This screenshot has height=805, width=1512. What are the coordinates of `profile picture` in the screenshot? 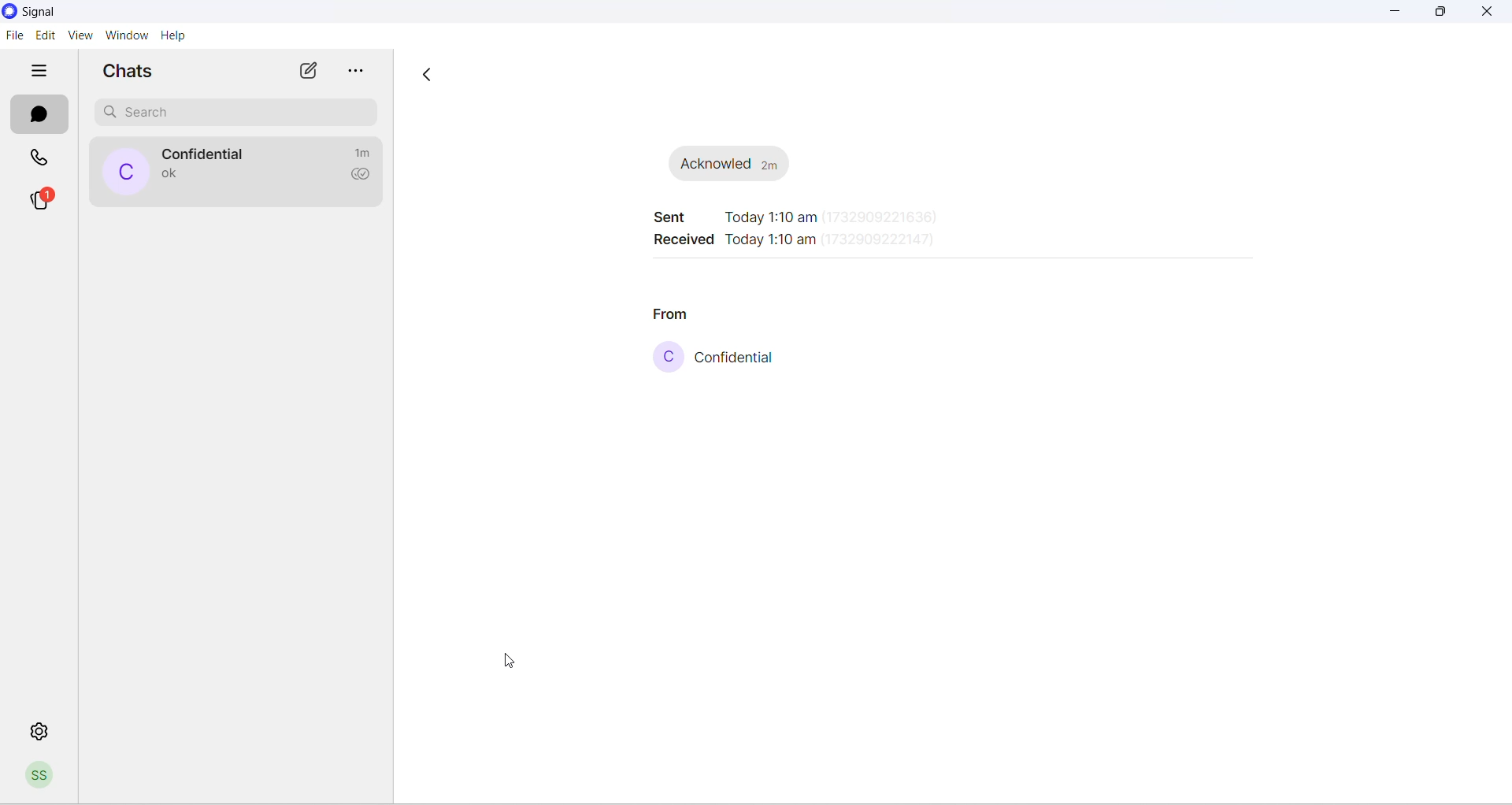 It's located at (124, 170).